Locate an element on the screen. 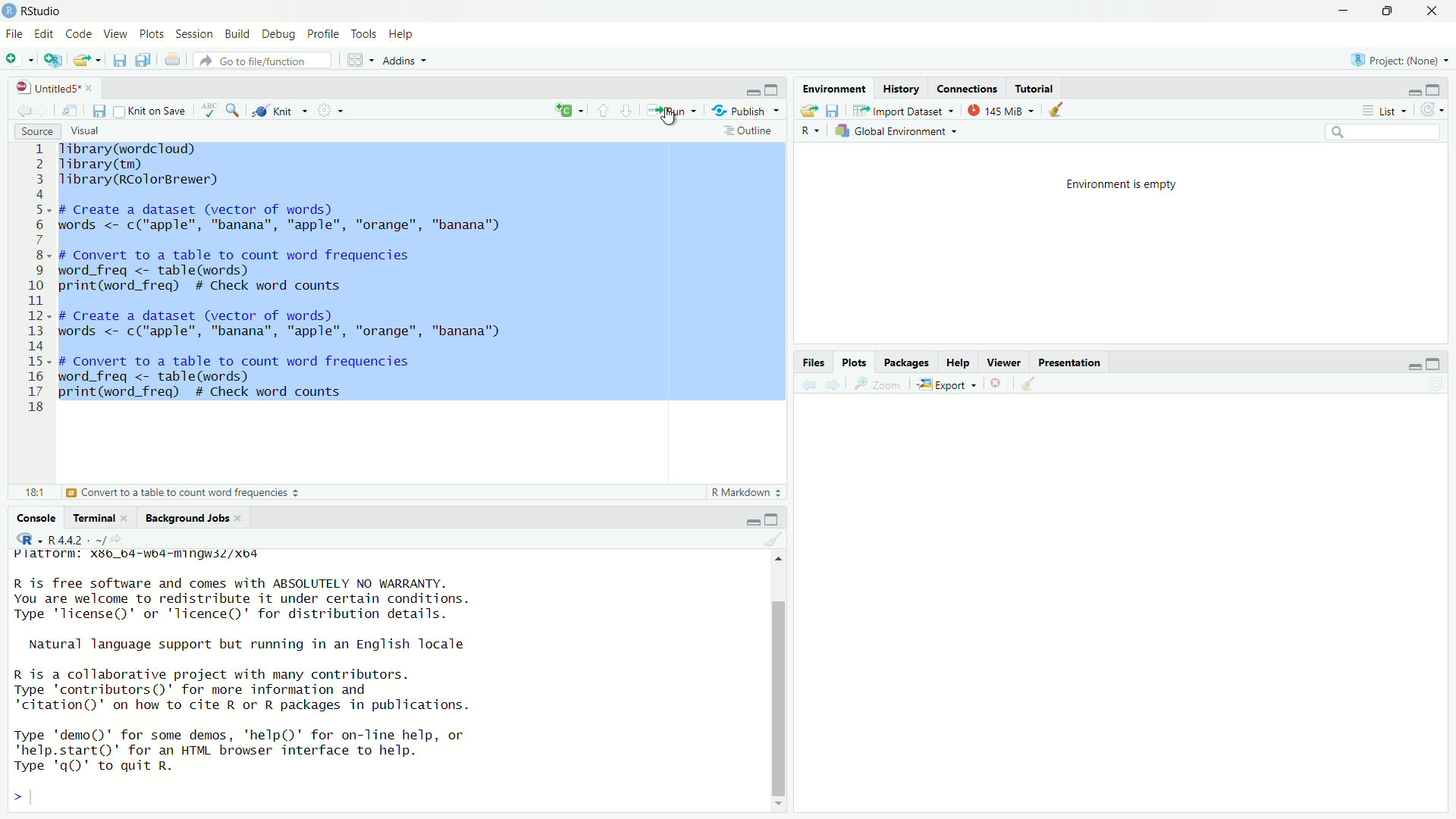 The width and height of the screenshot is (1456, 819). R is free software and comes with ABSOLUTELY NO WARRANTY.

You are welcome to redistribute it under certain conditions.

Type 'license()' or 'licence()' for distribution details.
Natural language support but running in an English locale

R is a collaborative project with many contributors.

Type ‘contributors’ for more information and

"citation()' on how to cite R or R packages in publications.

Type 'demo()' for some demos, 'help()' for on-line help, or

'help.start()' for an HTML browser interface to help.

Type 'qQ)' to quit R. is located at coordinates (244, 664).